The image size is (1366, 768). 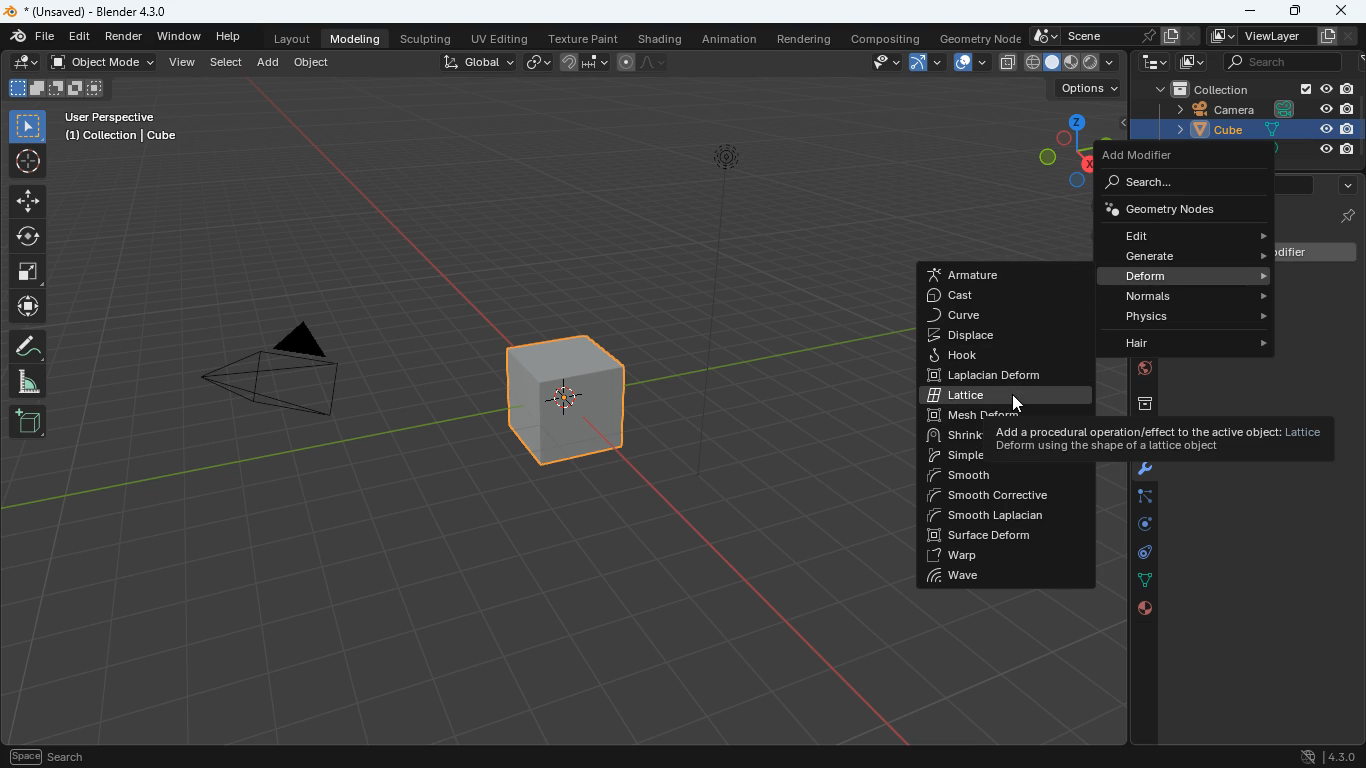 I want to click on view, so click(x=180, y=63).